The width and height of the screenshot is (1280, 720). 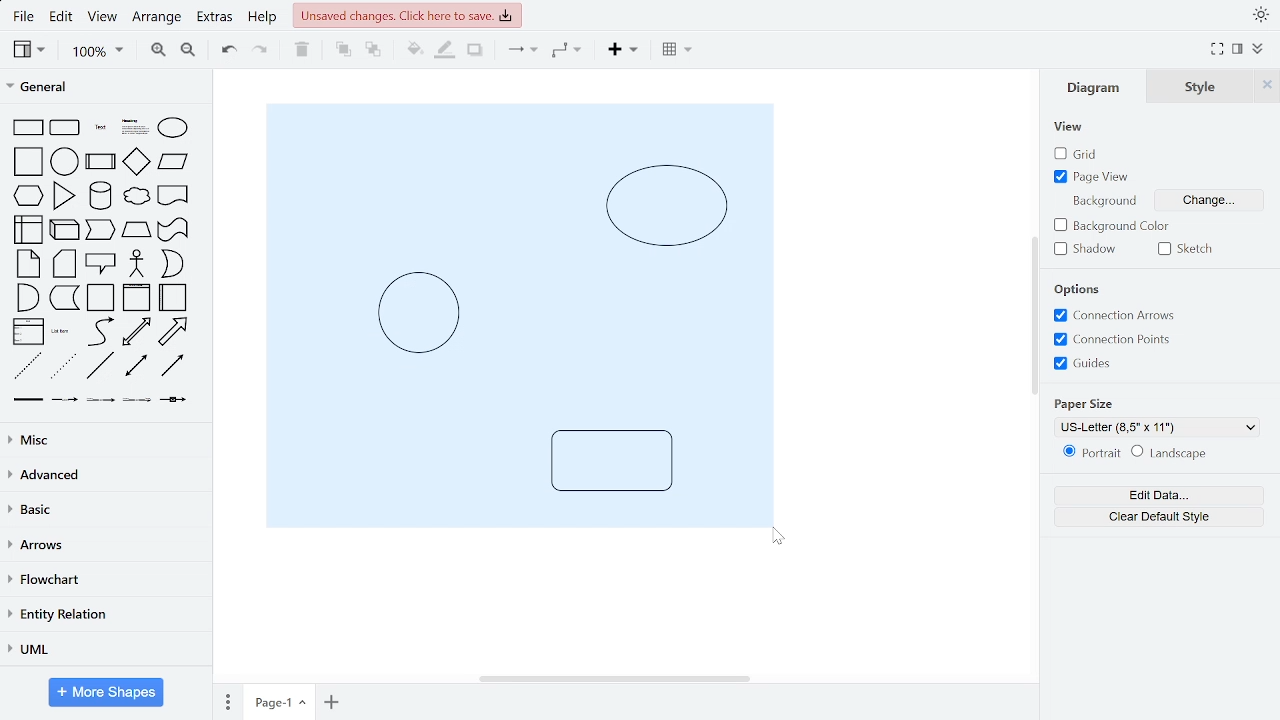 What do you see at coordinates (342, 50) in the screenshot?
I see `to front` at bounding box center [342, 50].